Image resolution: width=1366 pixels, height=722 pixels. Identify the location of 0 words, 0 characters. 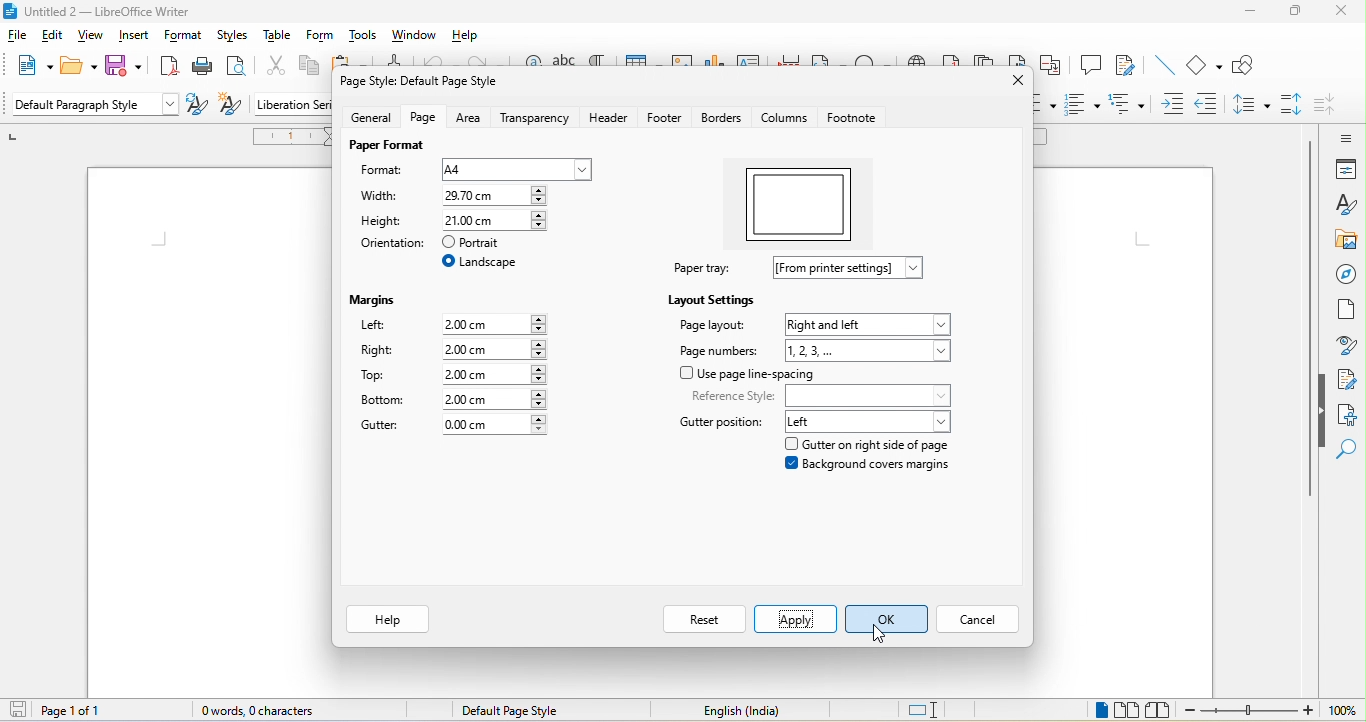
(268, 710).